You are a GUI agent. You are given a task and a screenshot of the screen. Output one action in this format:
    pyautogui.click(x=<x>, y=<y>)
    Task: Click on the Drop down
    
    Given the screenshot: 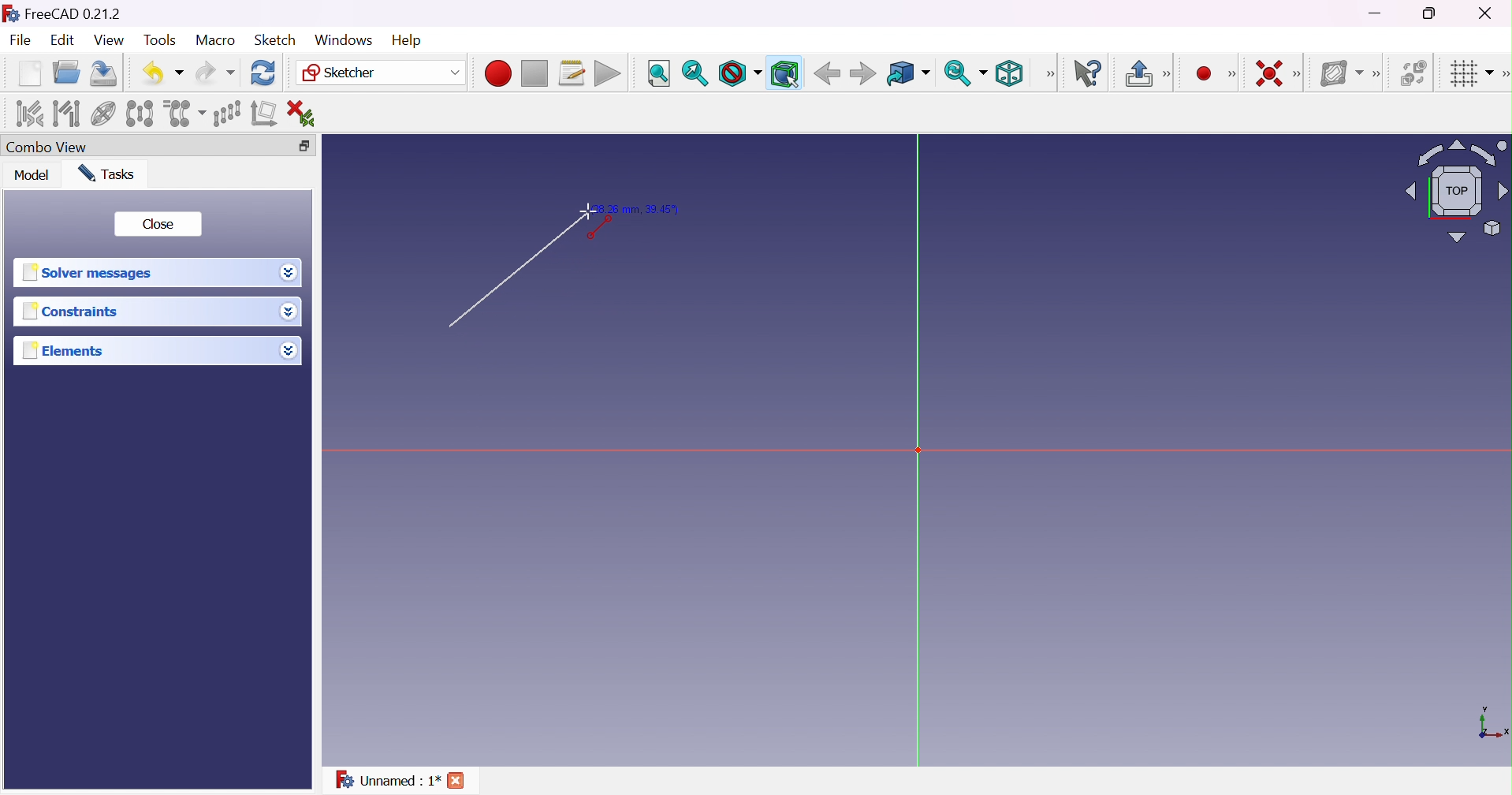 What is the action you would take?
    pyautogui.click(x=291, y=353)
    